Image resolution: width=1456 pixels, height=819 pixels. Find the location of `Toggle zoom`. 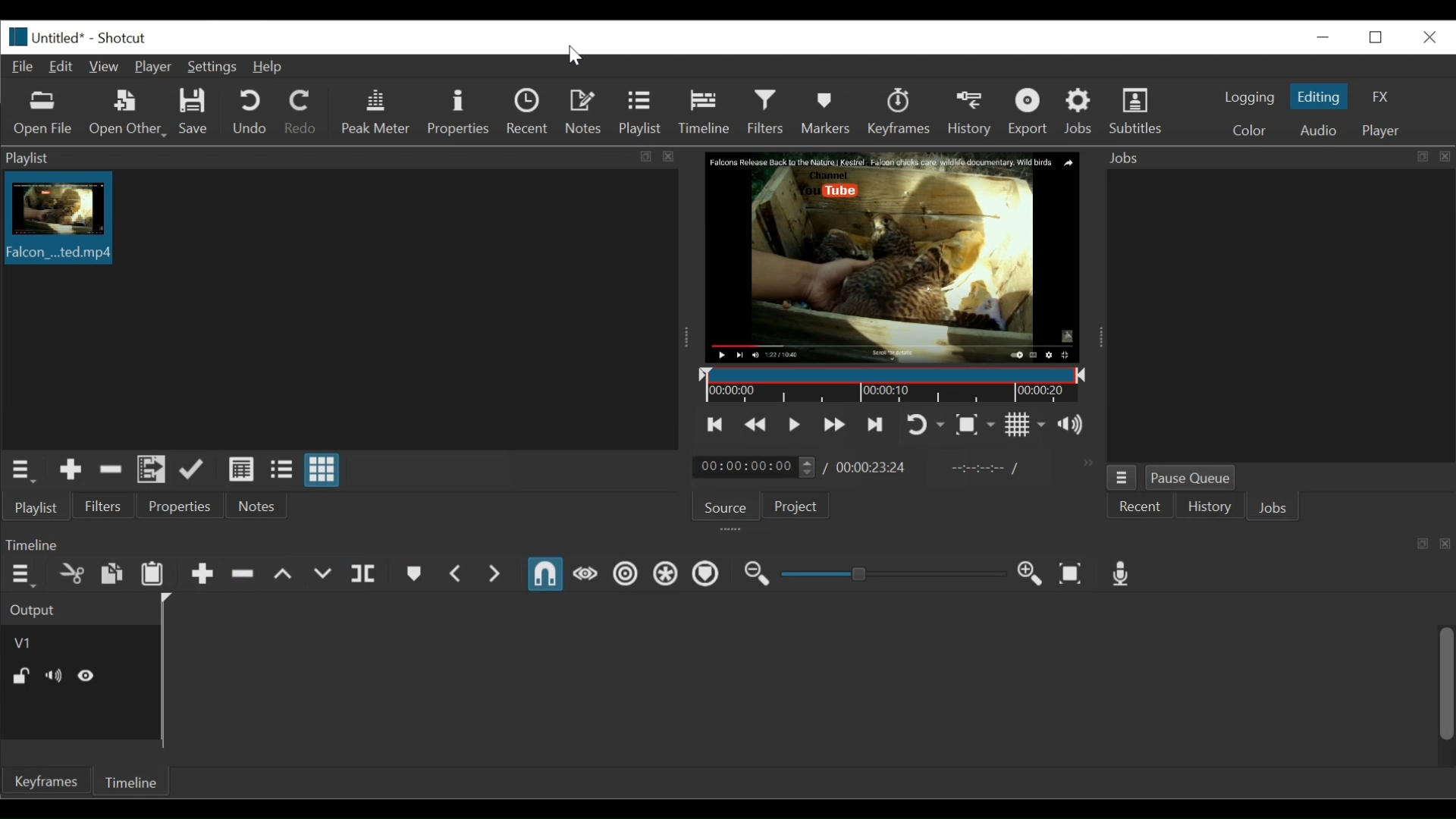

Toggle zoom is located at coordinates (976, 427).